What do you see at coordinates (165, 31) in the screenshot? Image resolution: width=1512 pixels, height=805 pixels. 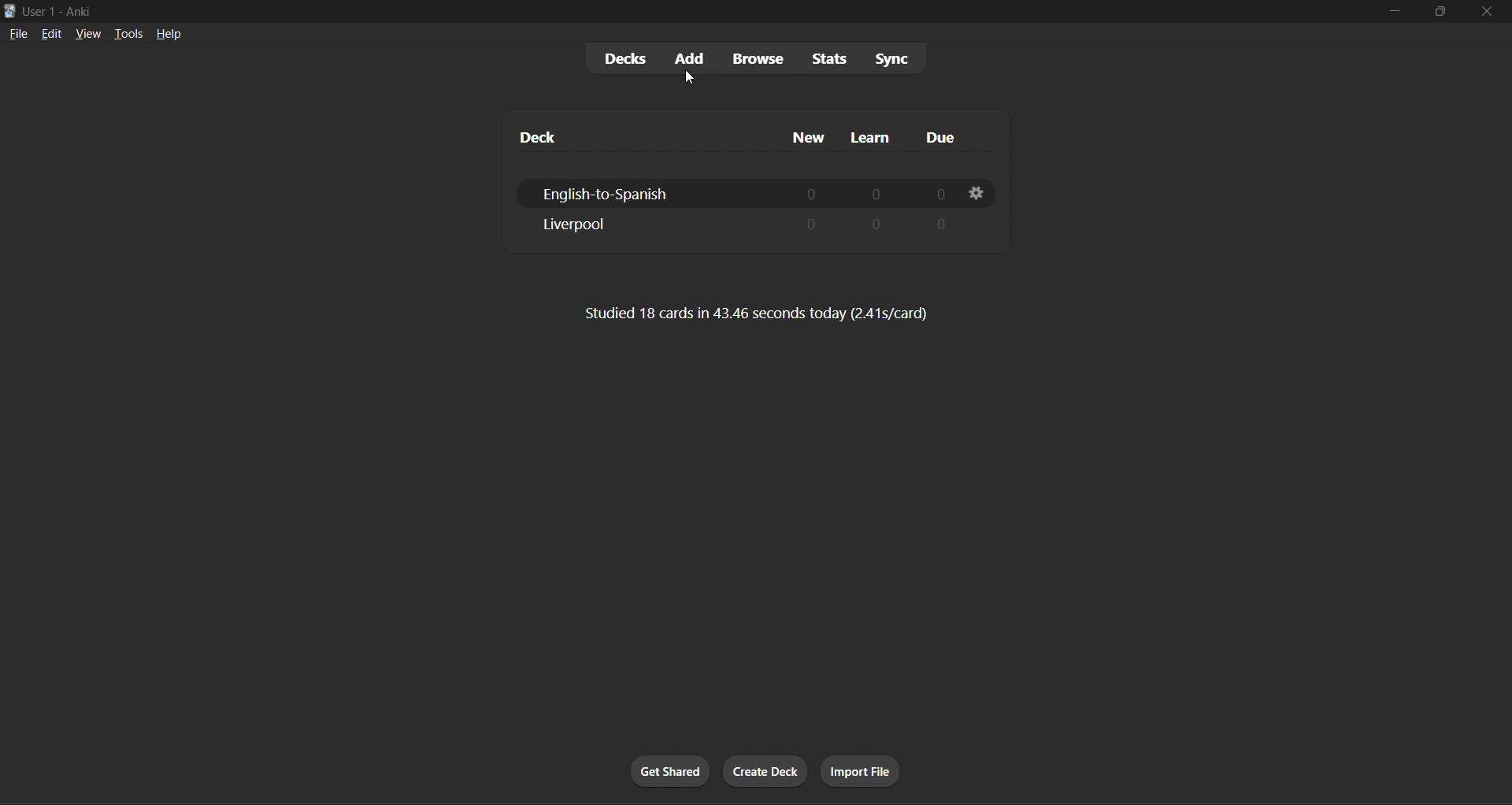 I see `help` at bounding box center [165, 31].